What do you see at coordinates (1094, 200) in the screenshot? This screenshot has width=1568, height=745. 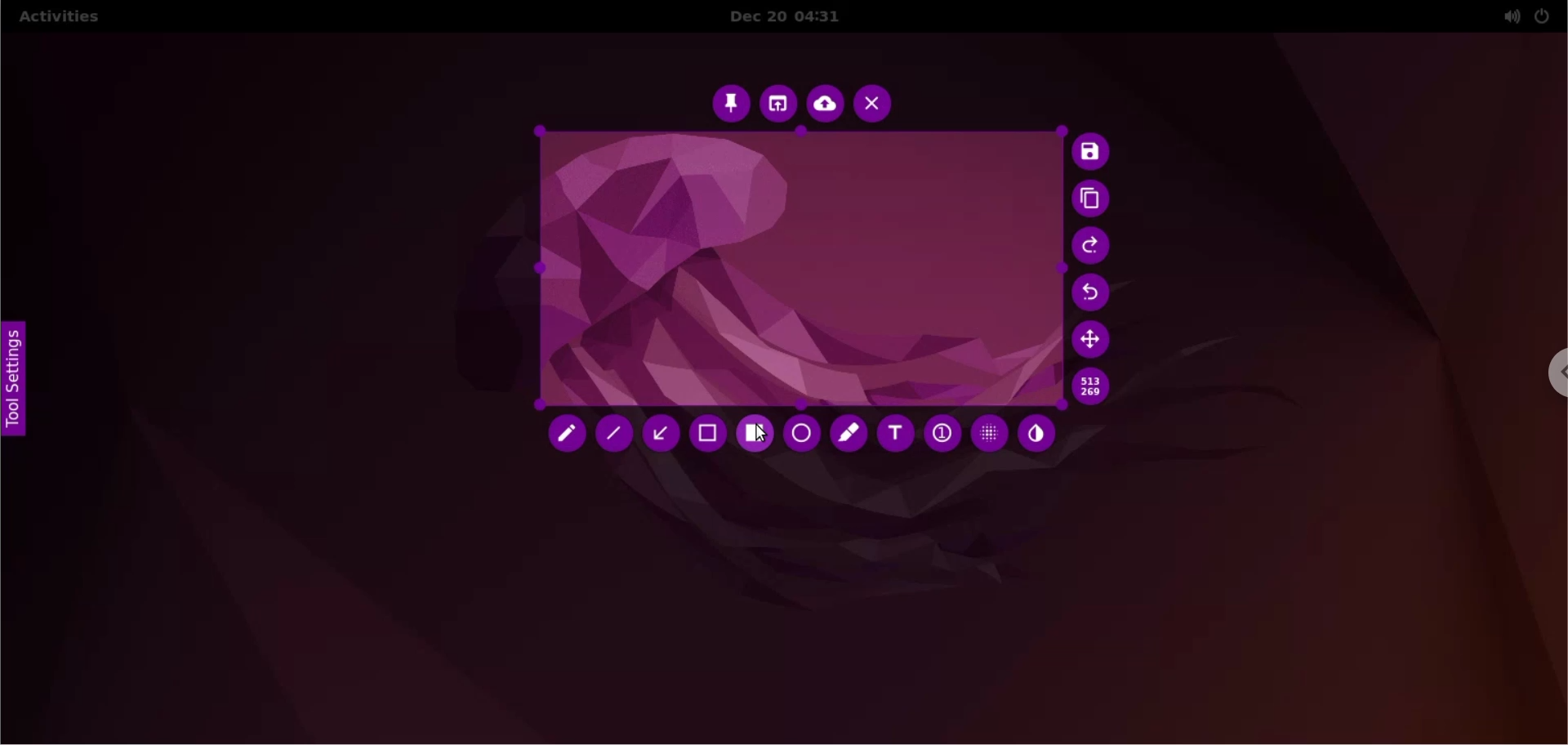 I see `copy to clipboard` at bounding box center [1094, 200].